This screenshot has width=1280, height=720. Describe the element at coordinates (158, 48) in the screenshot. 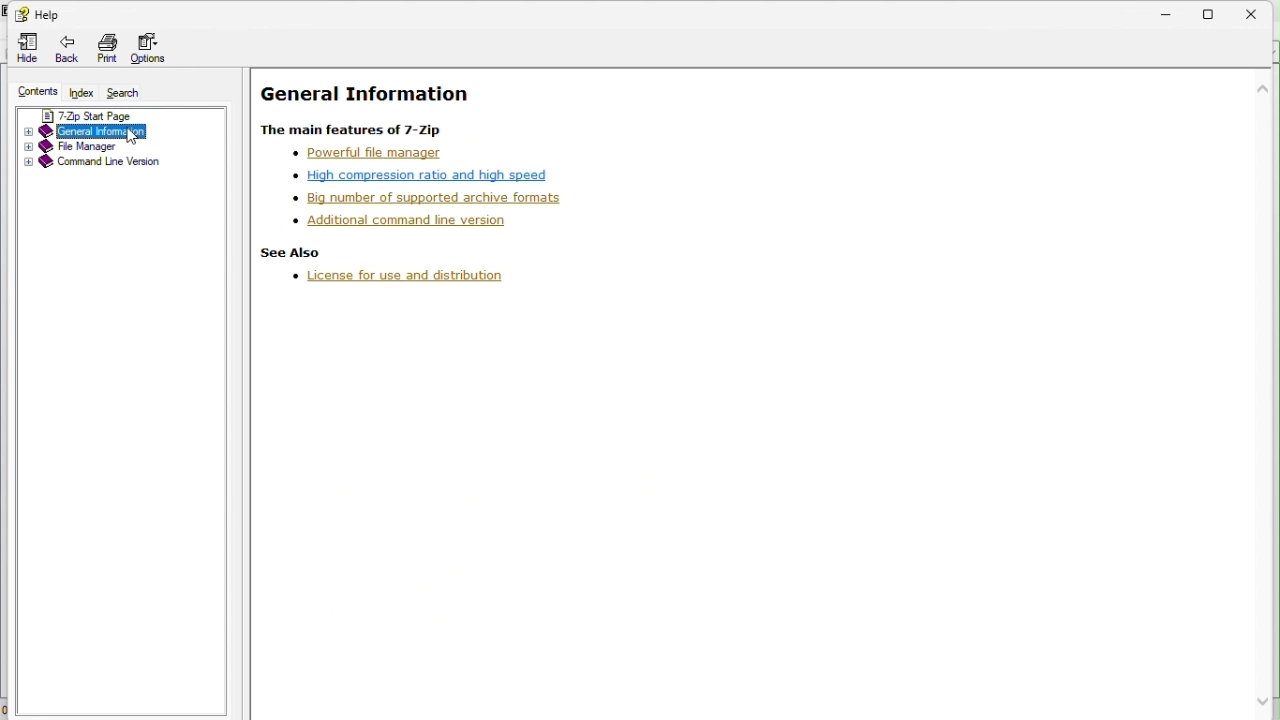

I see `Options` at that location.